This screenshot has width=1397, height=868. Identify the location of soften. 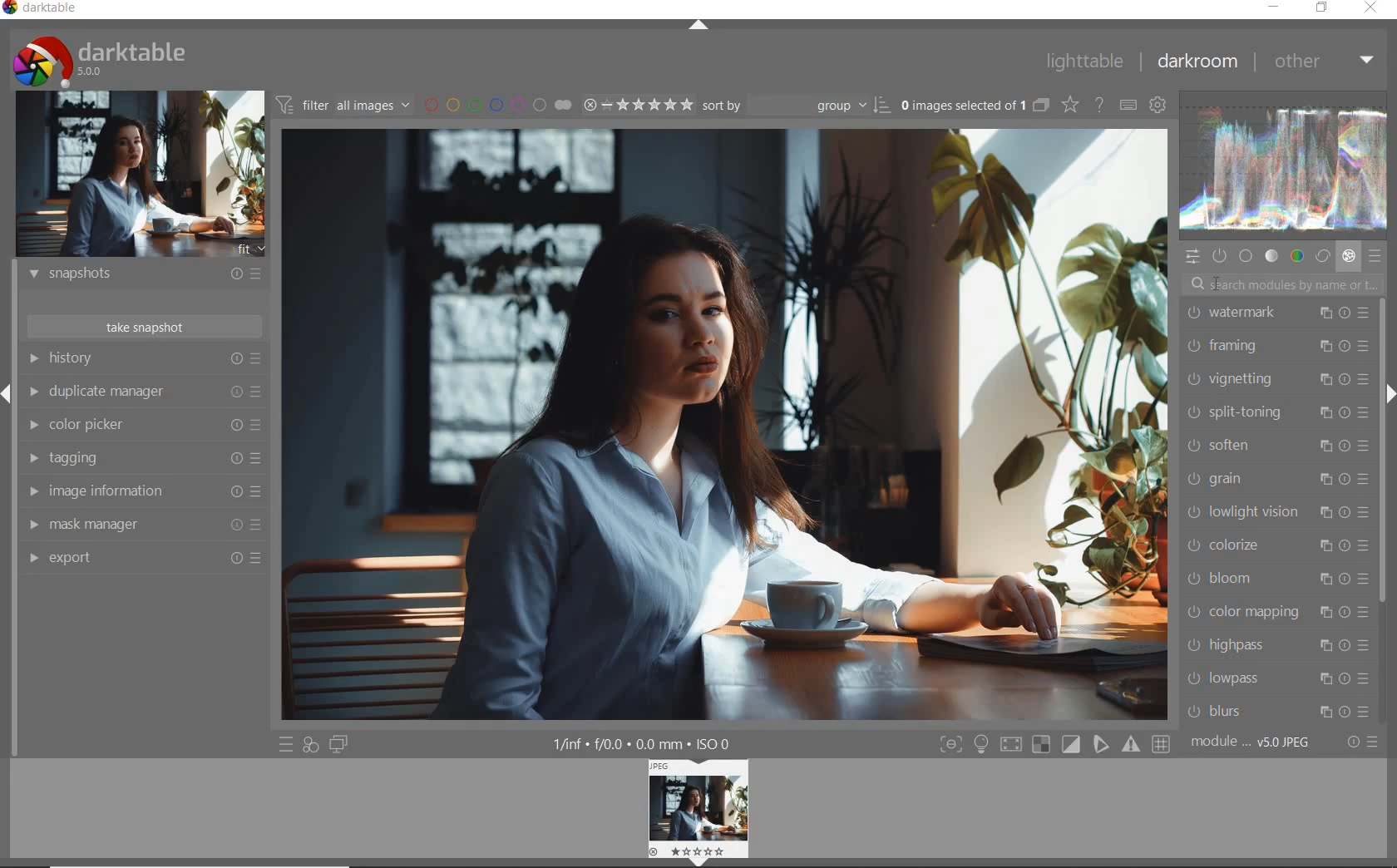
(1276, 447).